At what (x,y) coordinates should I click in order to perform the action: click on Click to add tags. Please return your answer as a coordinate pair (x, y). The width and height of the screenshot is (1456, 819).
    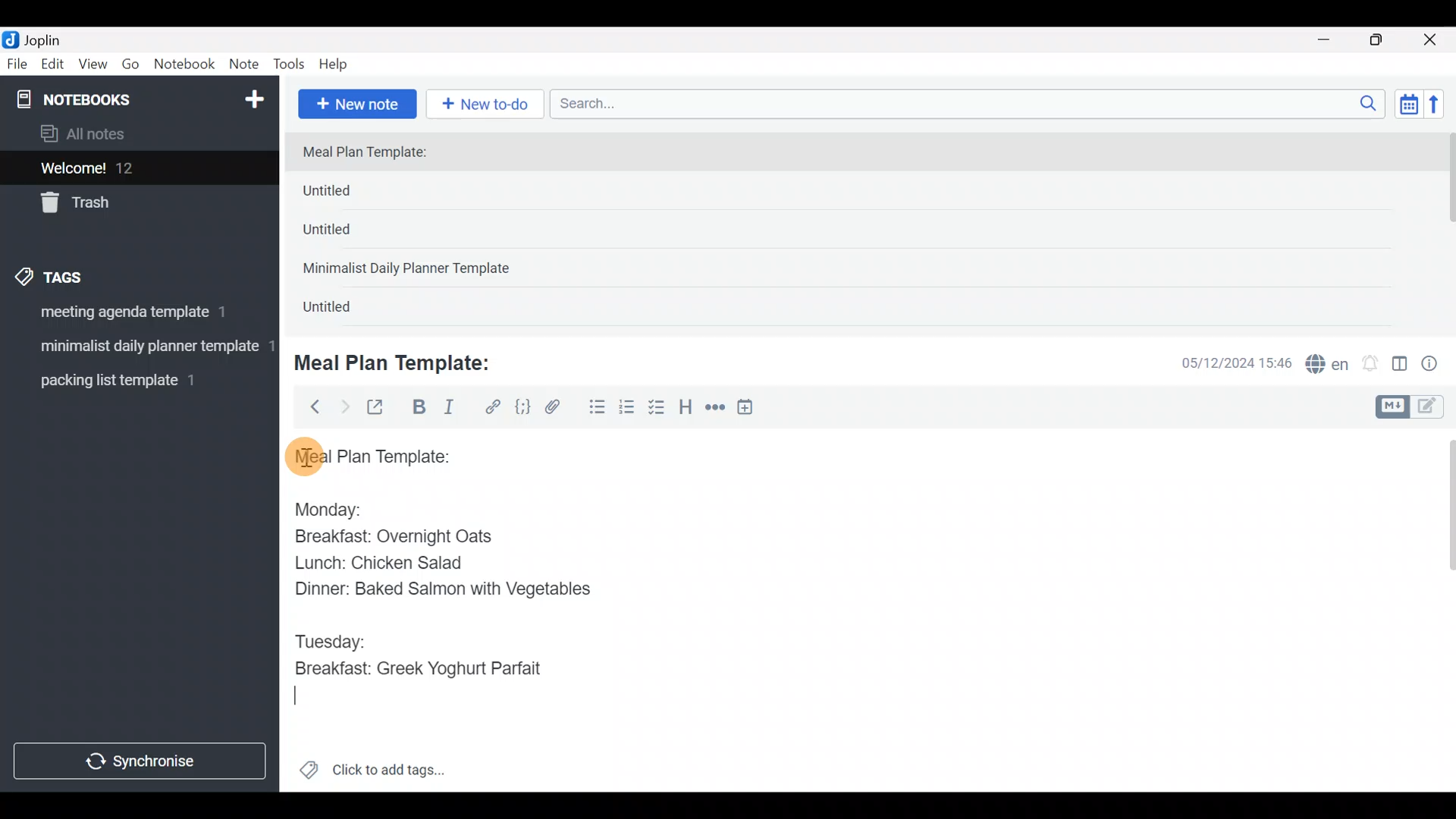
    Looking at the image, I should click on (372, 775).